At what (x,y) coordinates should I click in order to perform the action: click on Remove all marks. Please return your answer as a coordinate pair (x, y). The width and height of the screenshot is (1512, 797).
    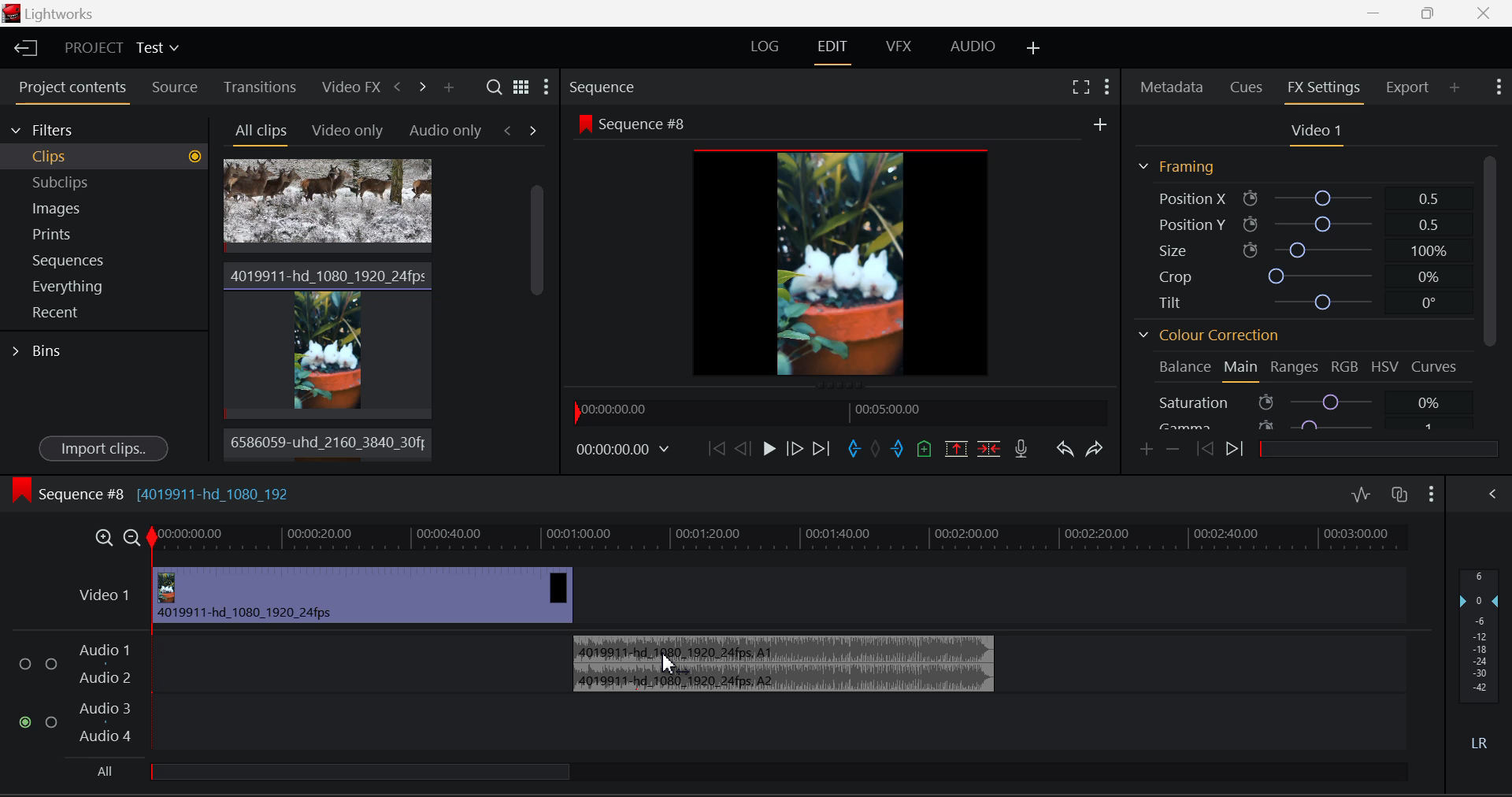
    Looking at the image, I should click on (877, 449).